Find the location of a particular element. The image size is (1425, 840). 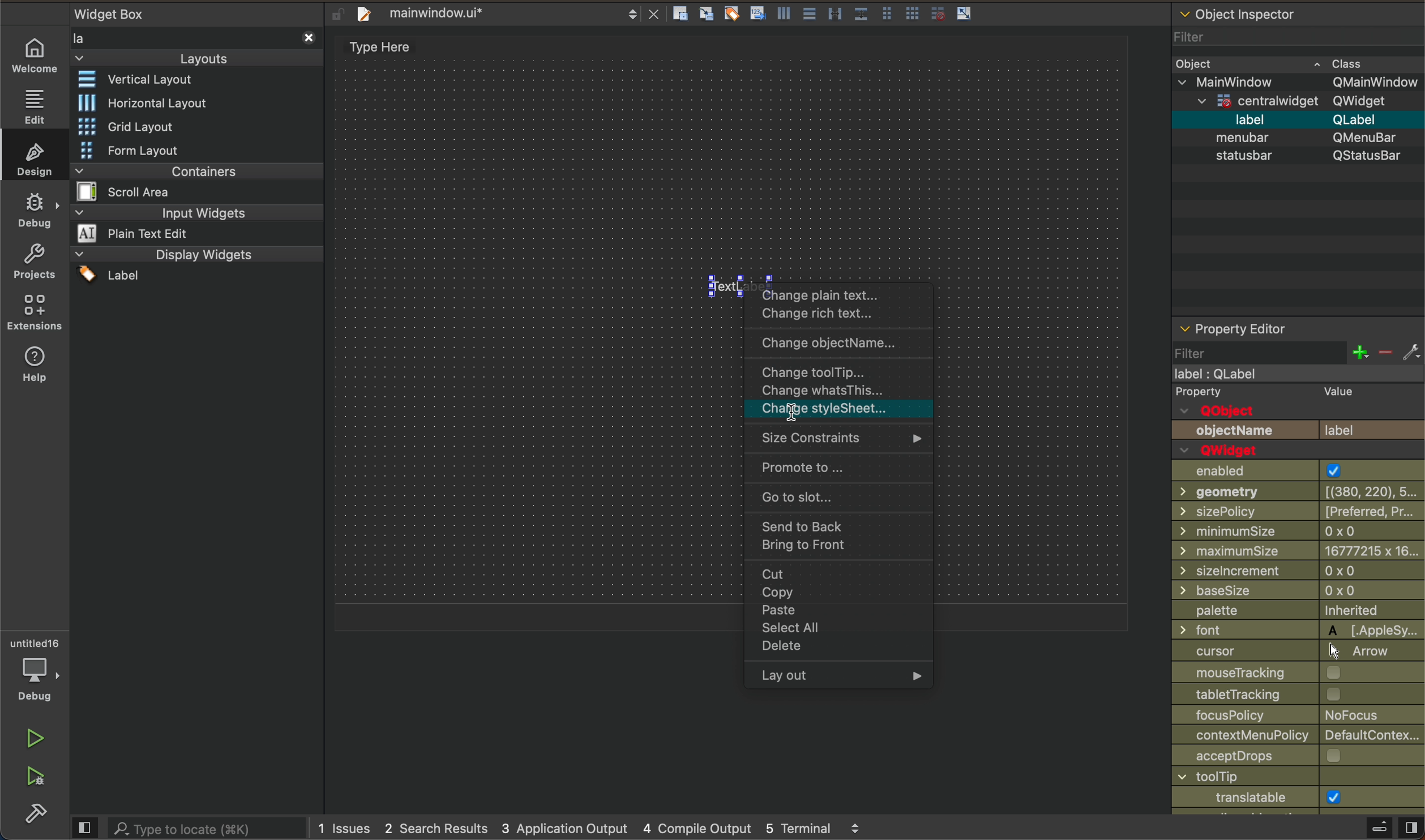

size contraints is located at coordinates (840, 442).